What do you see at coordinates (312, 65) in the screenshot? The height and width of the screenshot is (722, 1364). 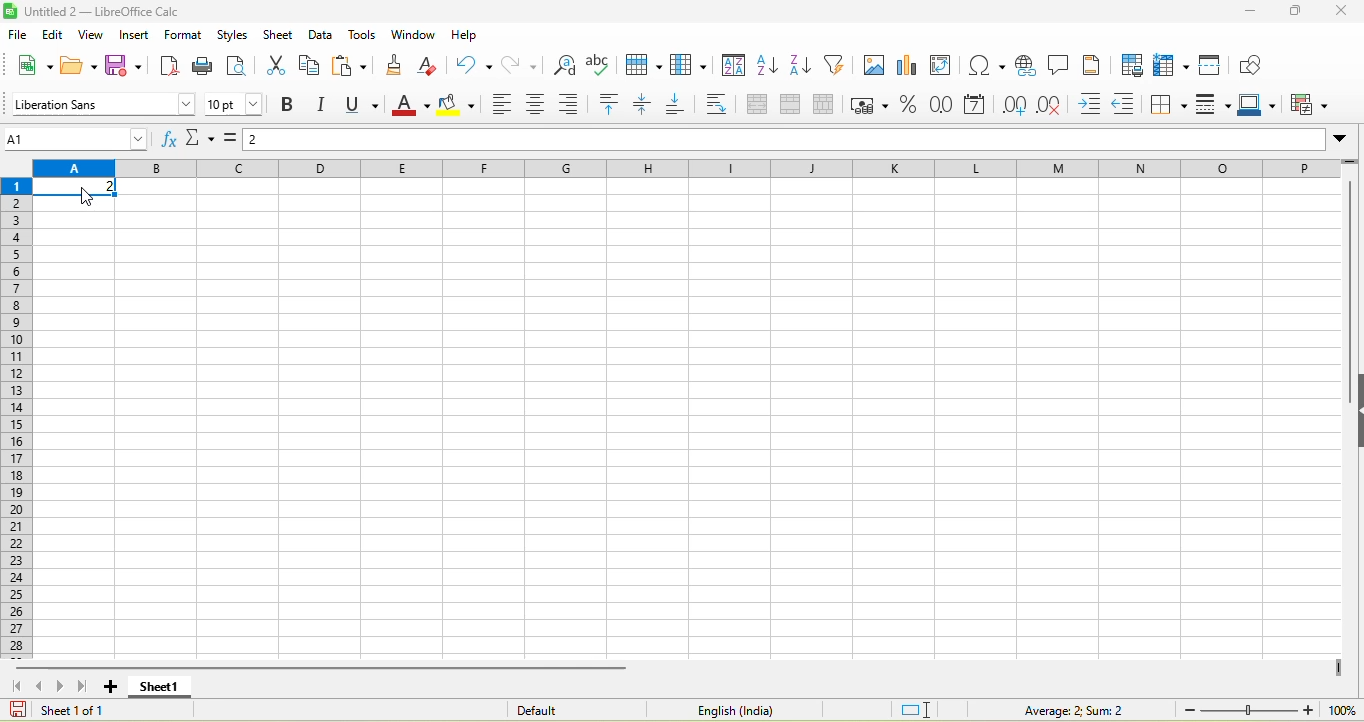 I see `copy` at bounding box center [312, 65].